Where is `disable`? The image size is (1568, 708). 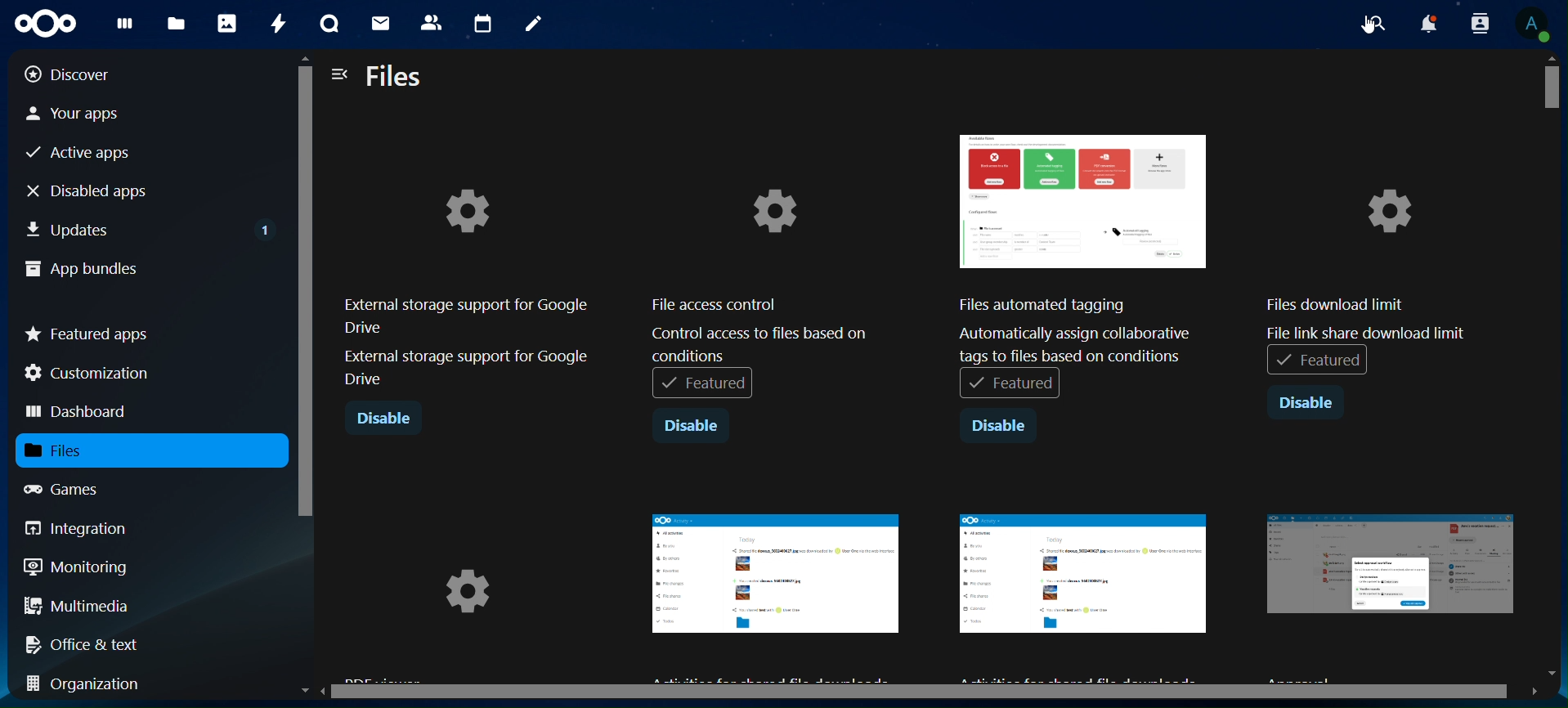
disable is located at coordinates (386, 421).